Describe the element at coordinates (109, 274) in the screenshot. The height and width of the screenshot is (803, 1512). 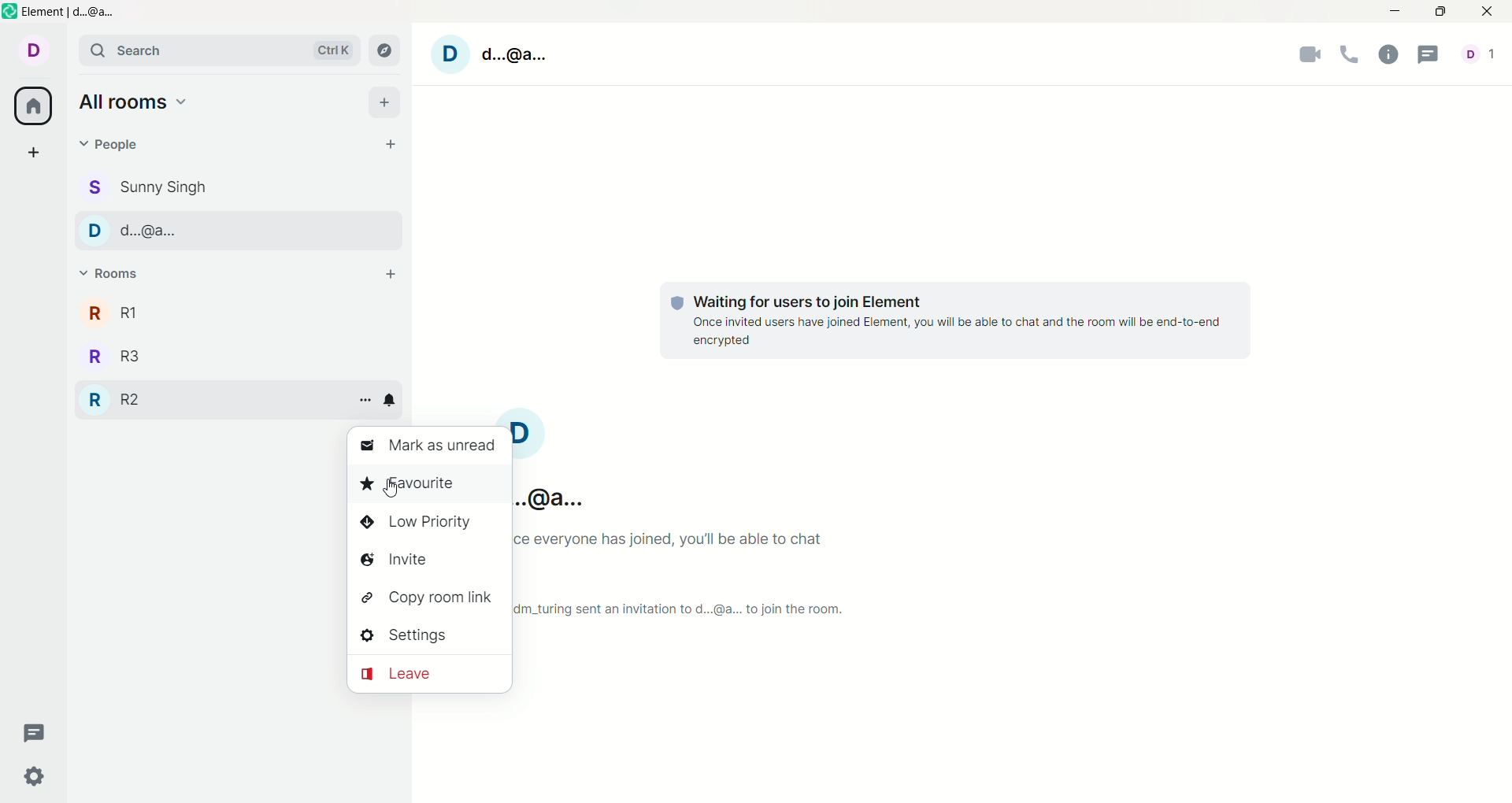
I see `rooms` at that location.